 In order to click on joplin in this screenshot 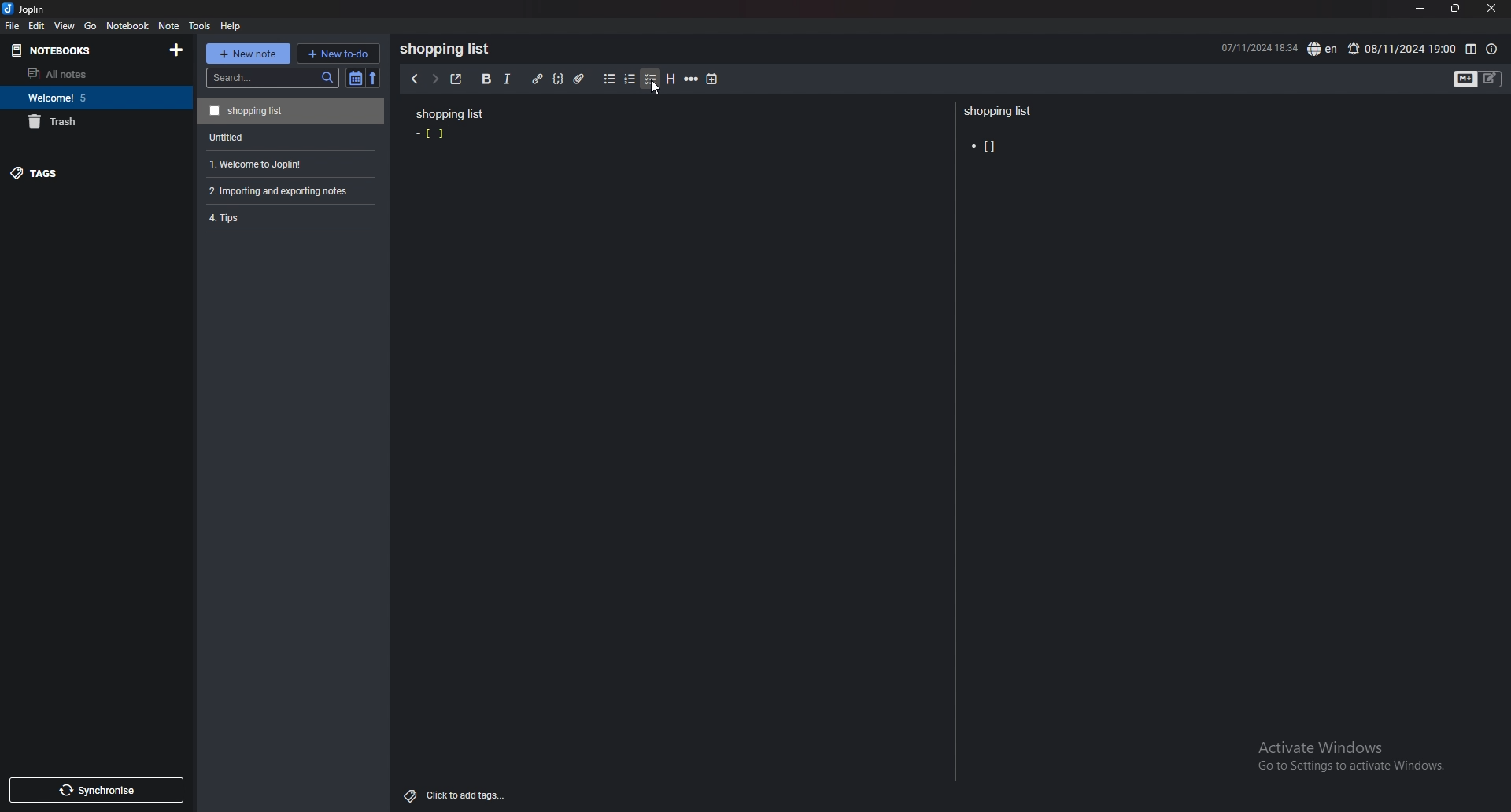, I will do `click(27, 9)`.